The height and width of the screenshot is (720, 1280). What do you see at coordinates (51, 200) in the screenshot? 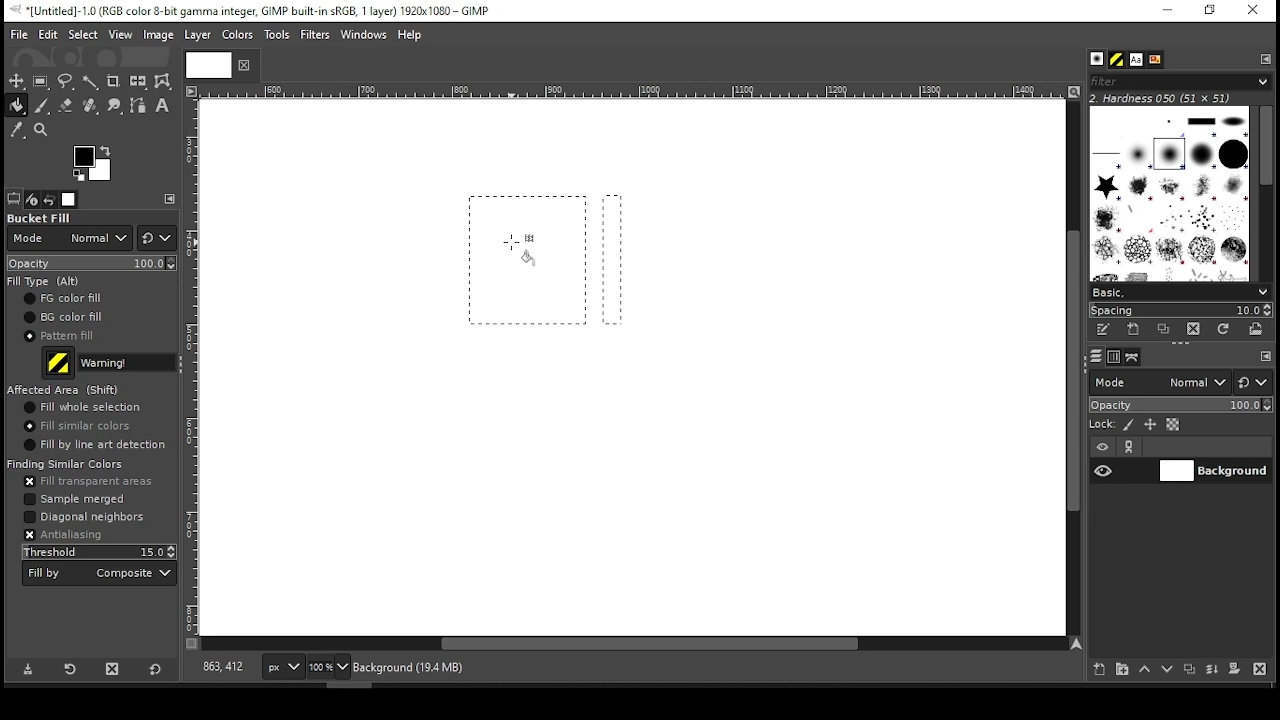
I see `undo history` at bounding box center [51, 200].